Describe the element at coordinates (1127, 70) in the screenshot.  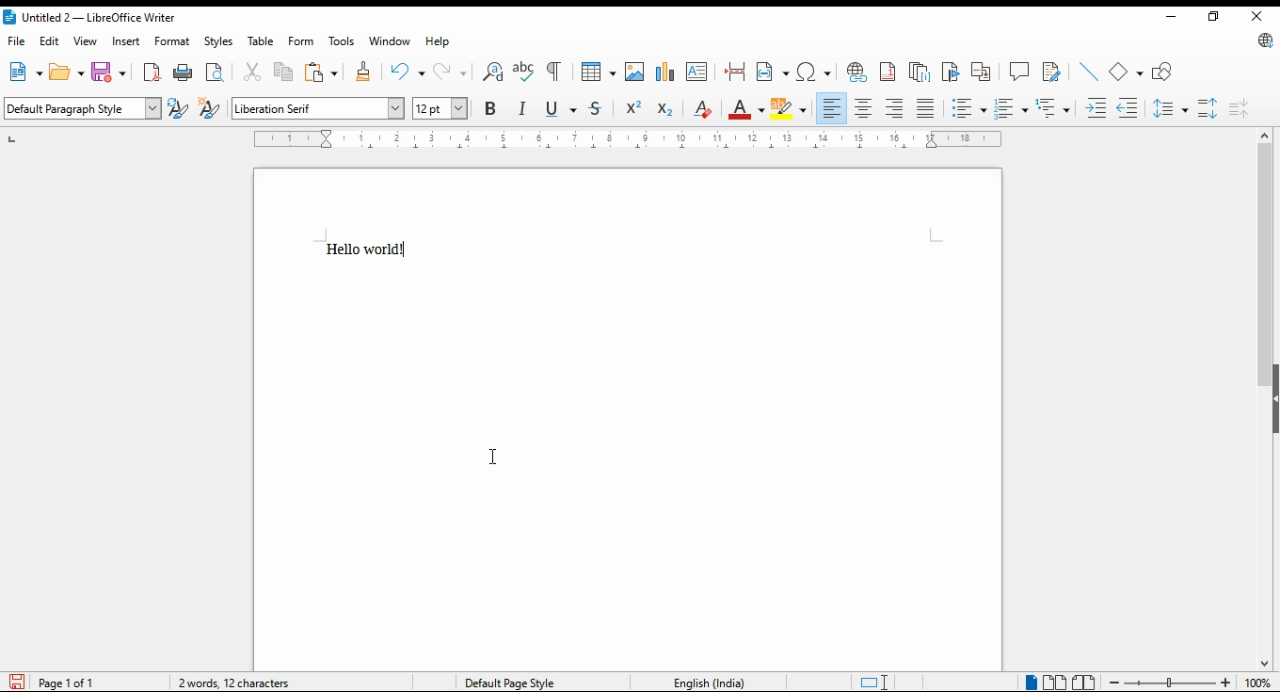
I see `Basic shapes (double click for multi selection)` at that location.